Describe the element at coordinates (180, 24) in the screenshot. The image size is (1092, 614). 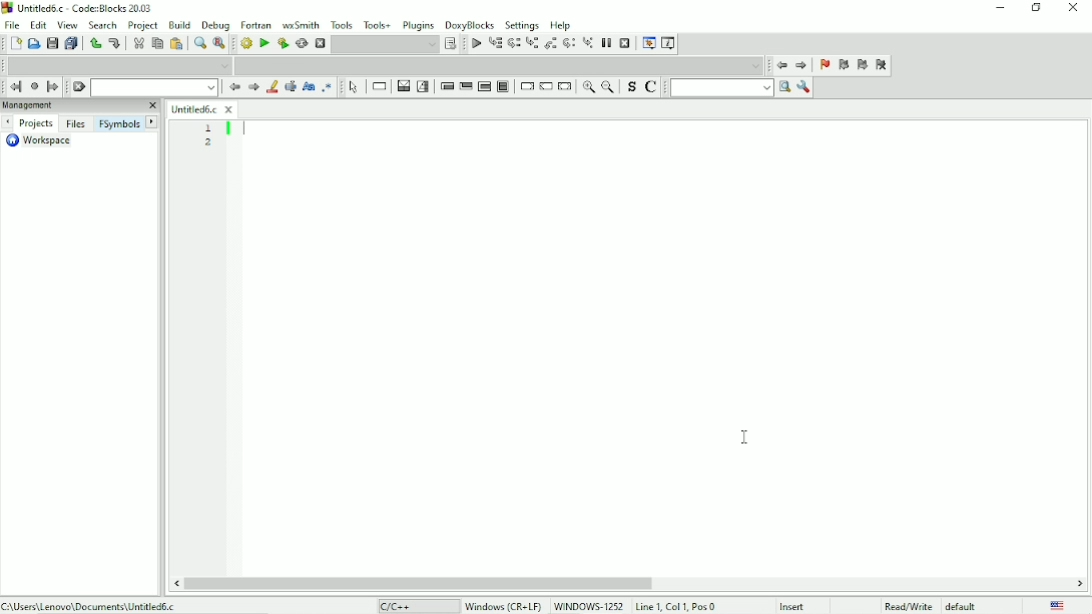
I see `Build` at that location.